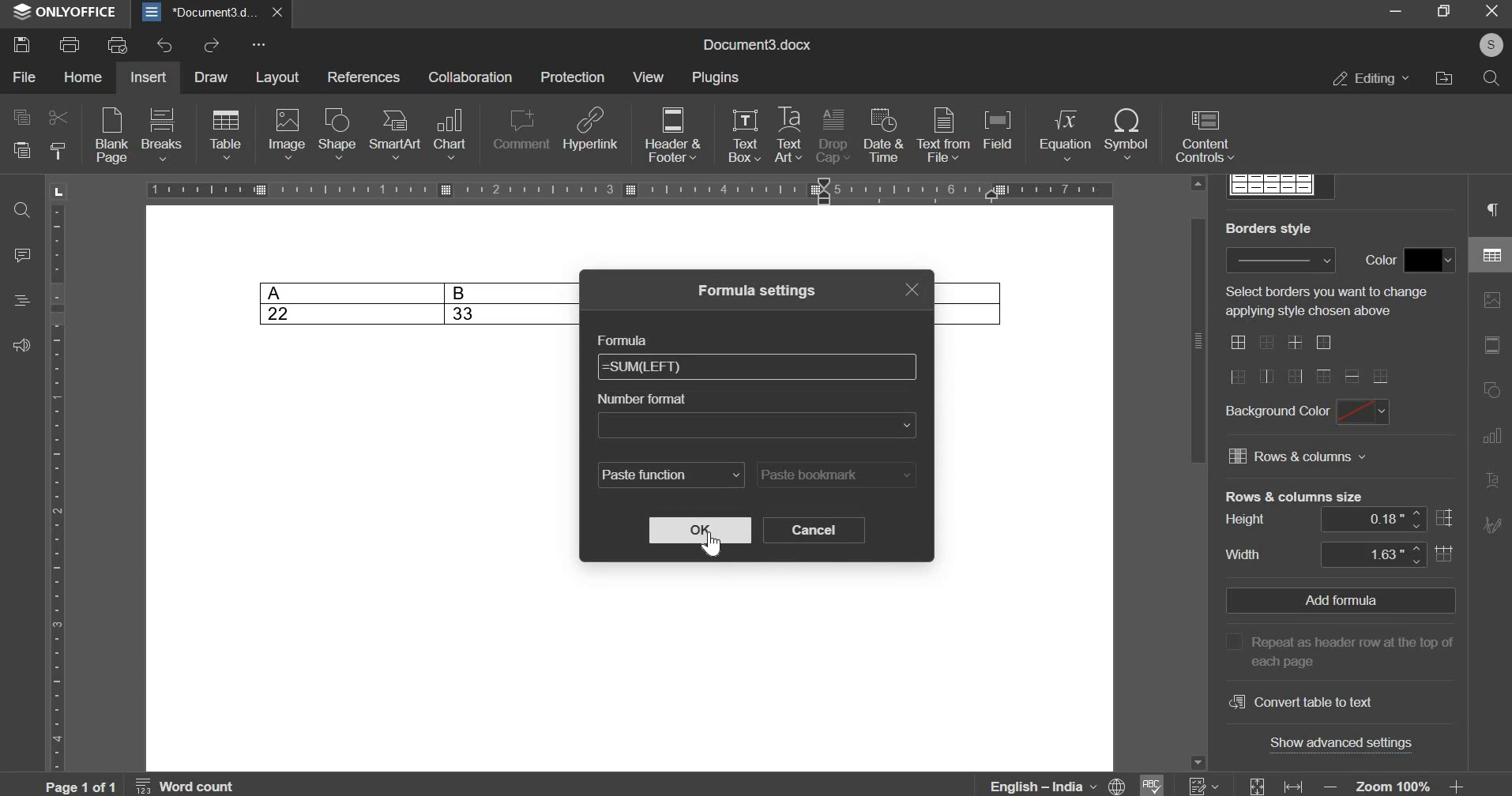 The height and width of the screenshot is (796, 1512). I want to click on undo, so click(169, 46).